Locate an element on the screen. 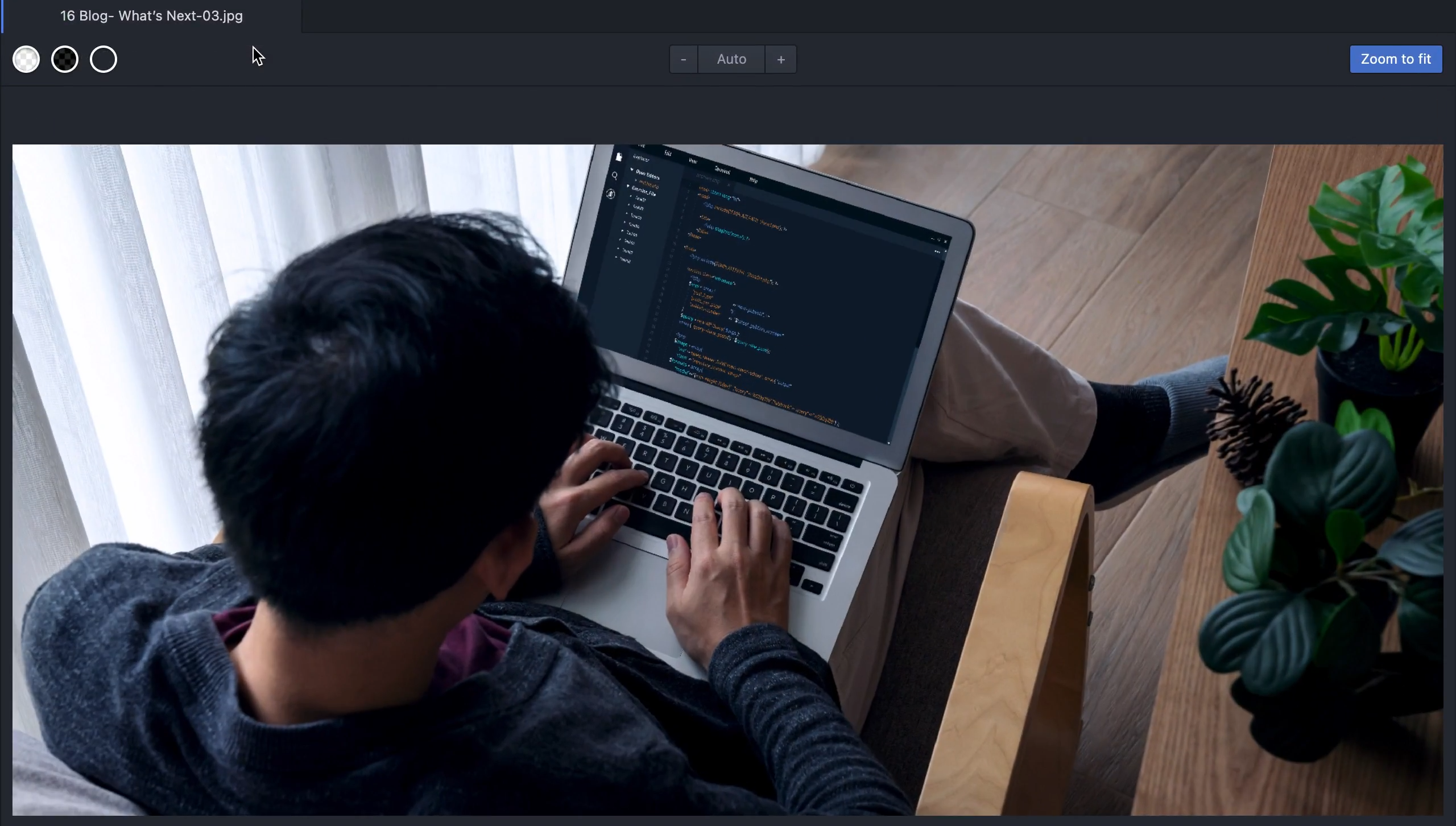 This screenshot has height=826, width=1456. cursor is located at coordinates (259, 55).